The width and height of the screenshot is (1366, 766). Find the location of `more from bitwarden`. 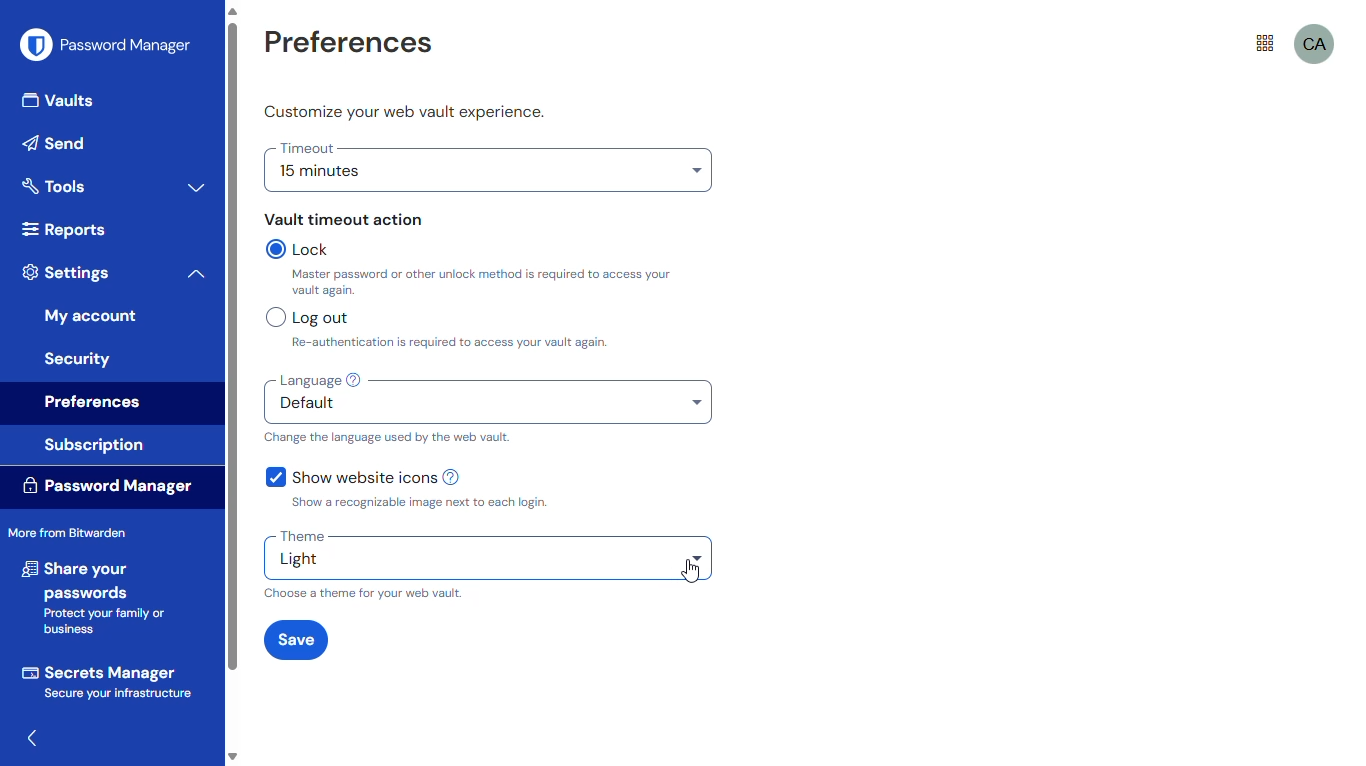

more from bitwarden is located at coordinates (67, 531).